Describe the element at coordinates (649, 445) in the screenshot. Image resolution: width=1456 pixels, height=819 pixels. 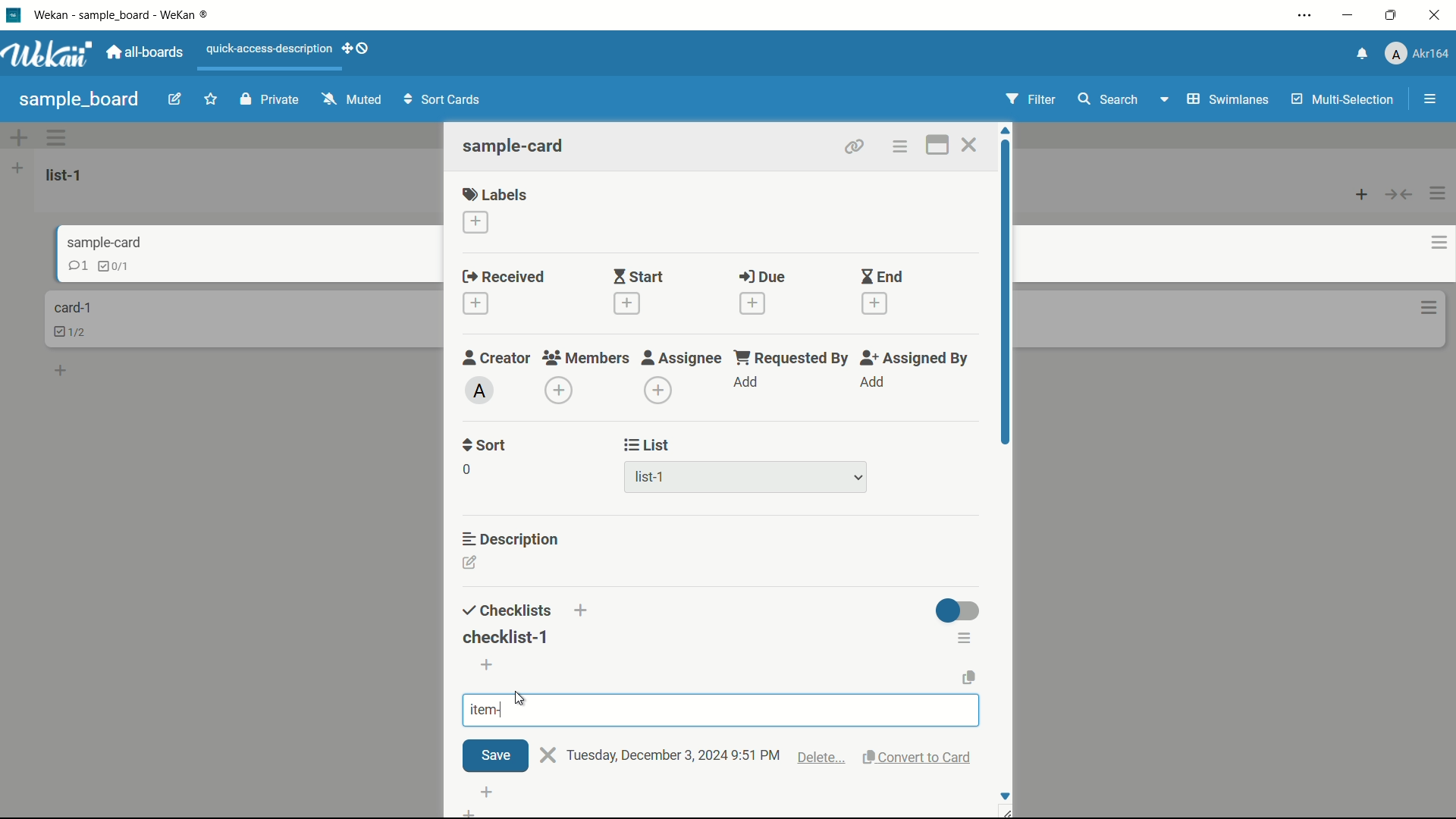
I see `list` at that location.